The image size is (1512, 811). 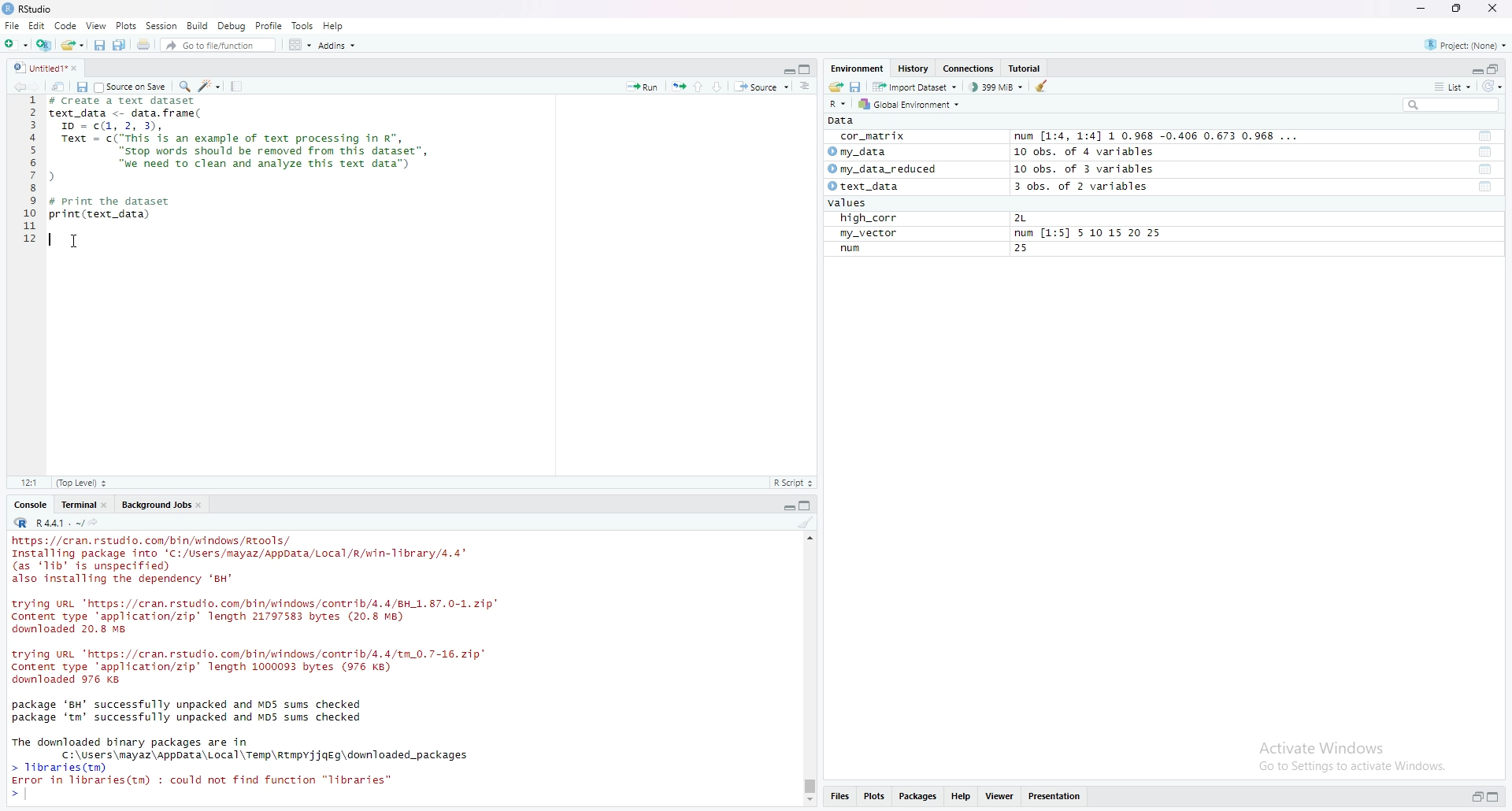 I want to click on console log, so click(x=275, y=668).